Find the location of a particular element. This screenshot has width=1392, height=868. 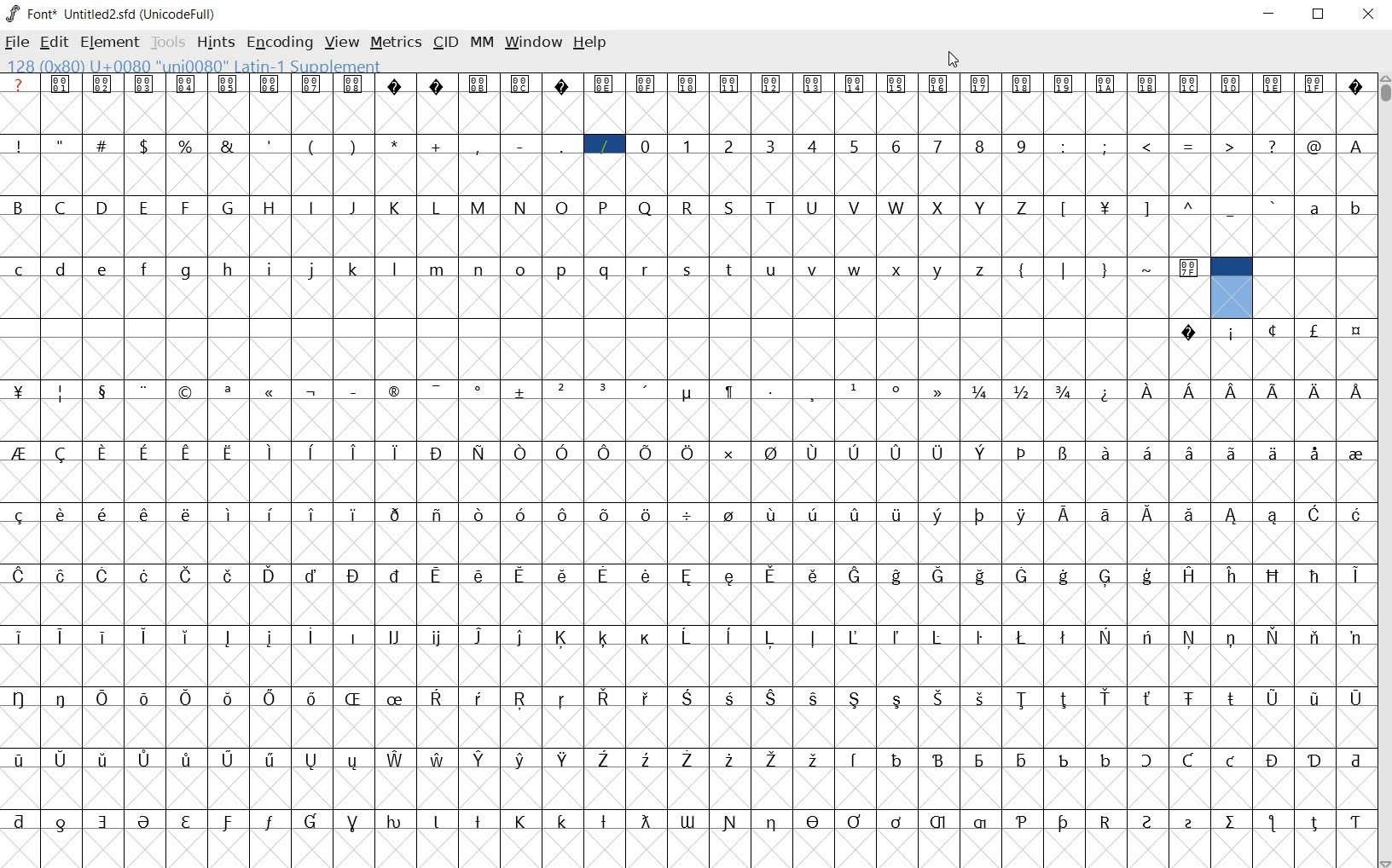

Symbol is located at coordinates (315, 699).